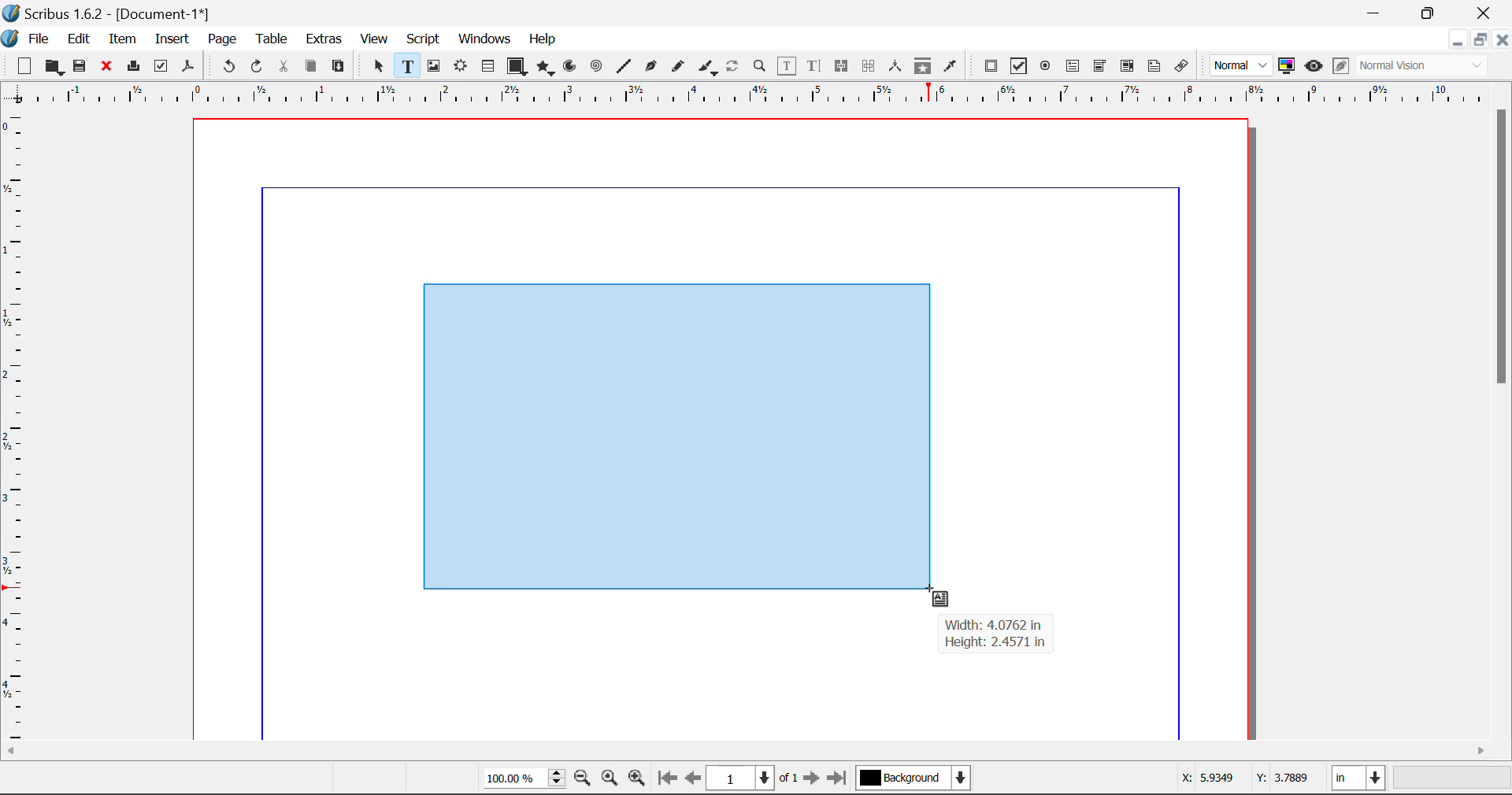  Describe the element at coordinates (54, 67) in the screenshot. I see `Open` at that location.